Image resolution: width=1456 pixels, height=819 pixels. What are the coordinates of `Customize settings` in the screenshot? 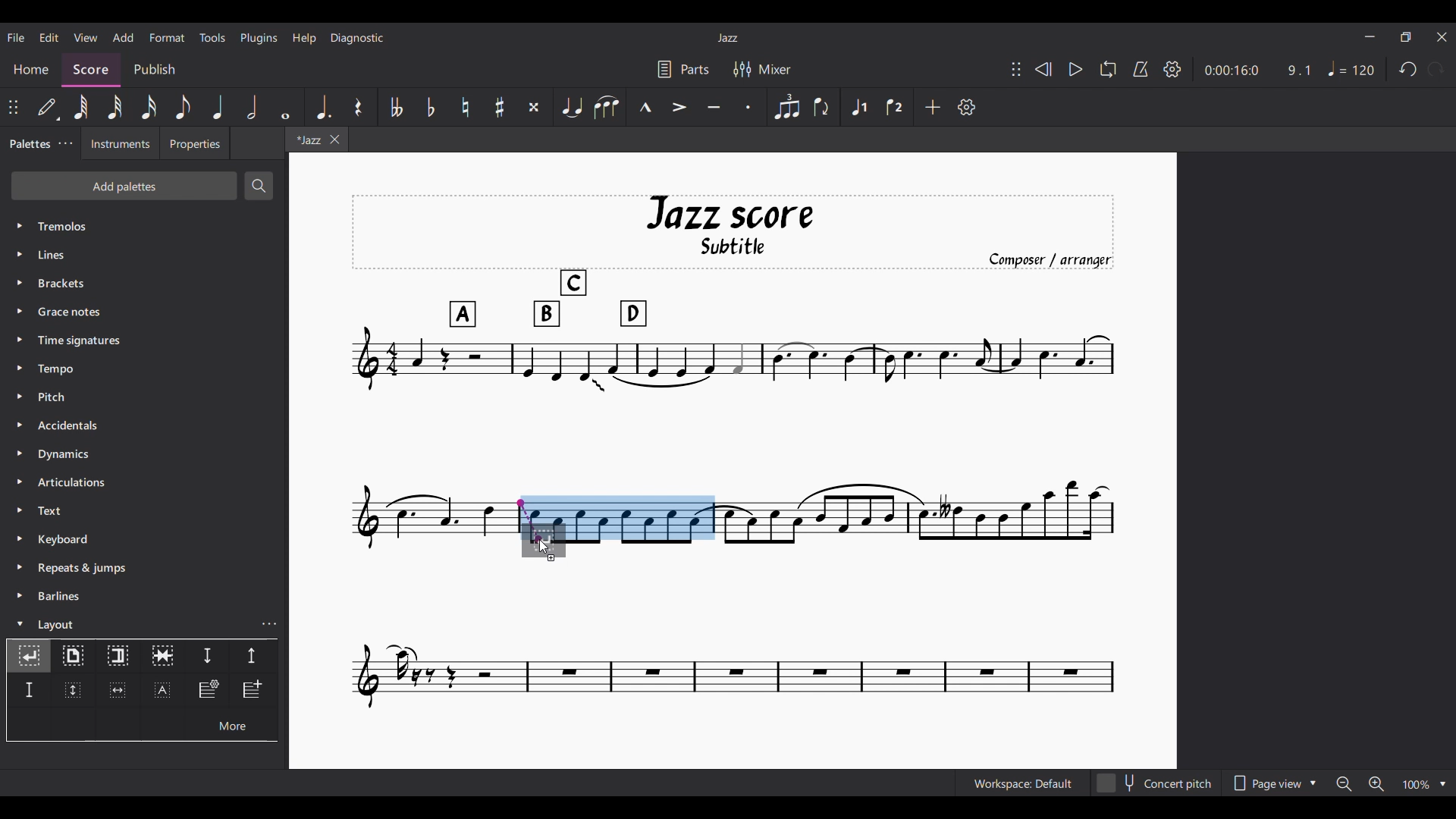 It's located at (966, 107).